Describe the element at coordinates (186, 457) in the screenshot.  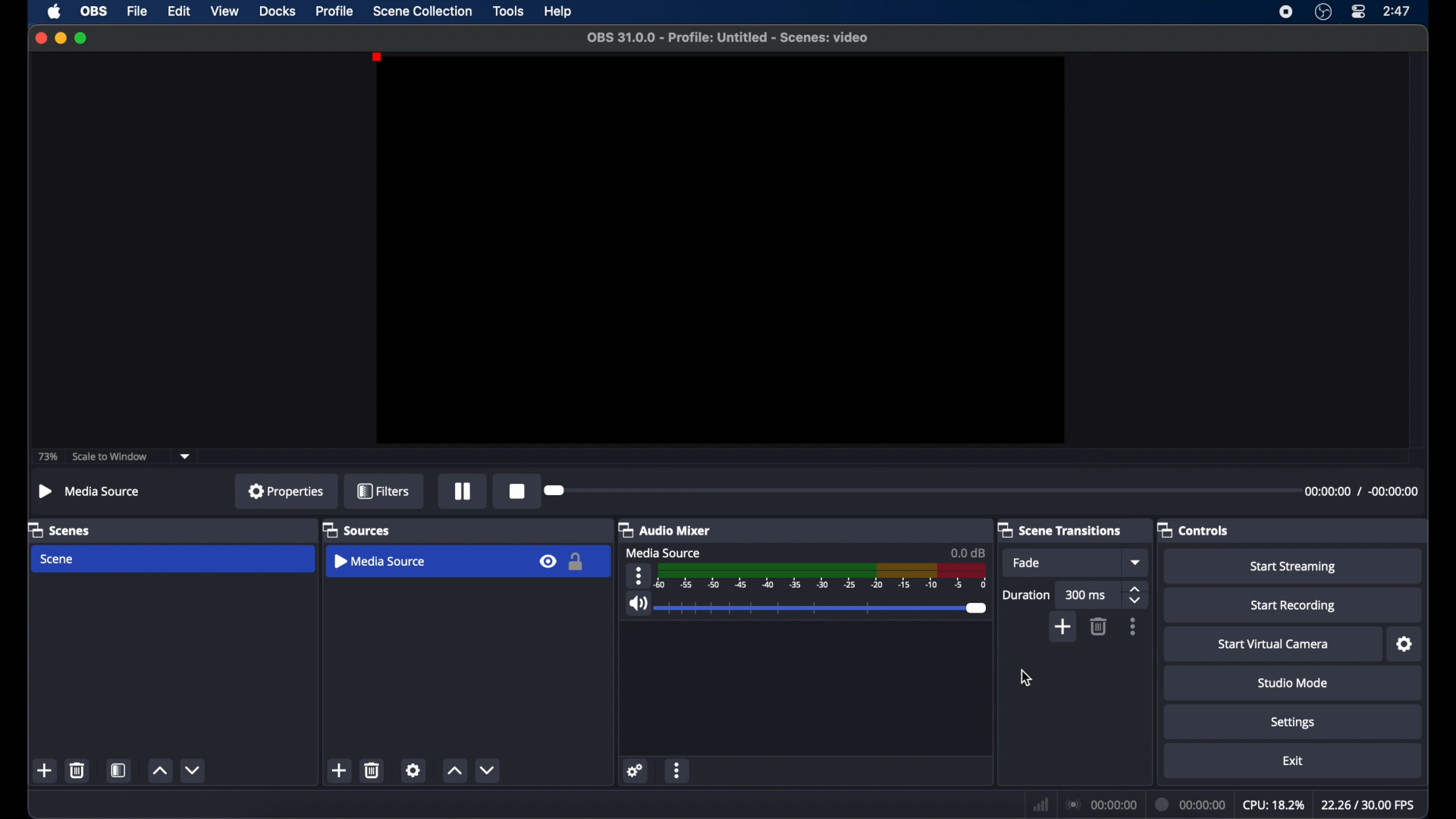
I see `dropdown` at that location.